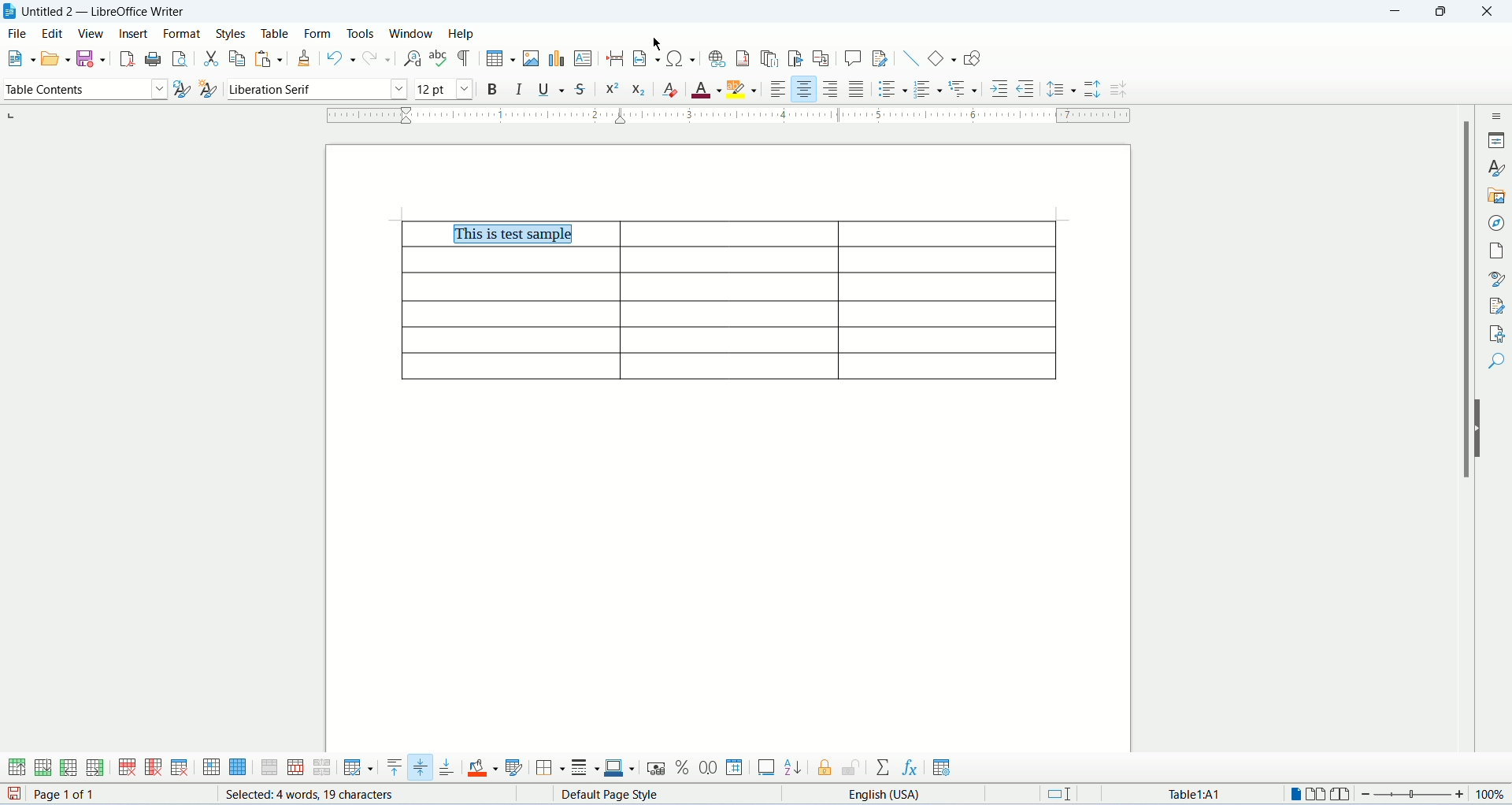  What do you see at coordinates (1485, 12) in the screenshot?
I see `close` at bounding box center [1485, 12].